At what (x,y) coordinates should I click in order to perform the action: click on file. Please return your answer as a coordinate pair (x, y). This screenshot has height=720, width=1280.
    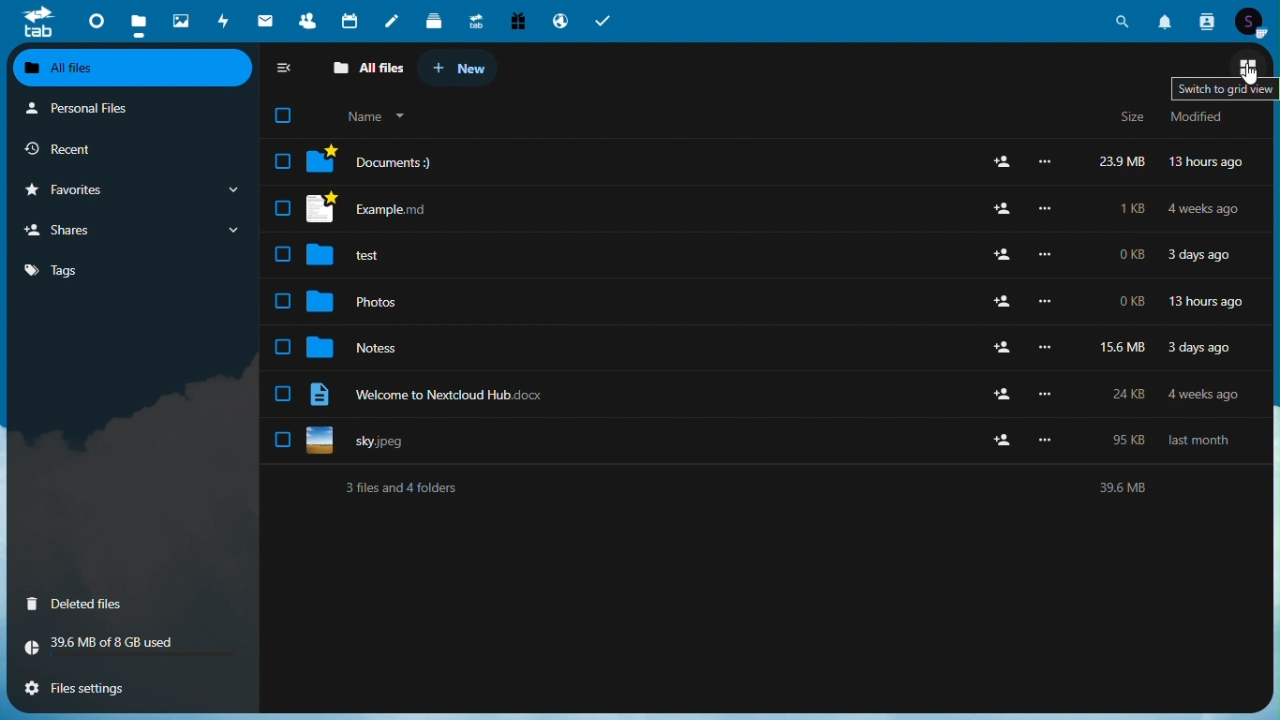
    Looking at the image, I should click on (318, 397).